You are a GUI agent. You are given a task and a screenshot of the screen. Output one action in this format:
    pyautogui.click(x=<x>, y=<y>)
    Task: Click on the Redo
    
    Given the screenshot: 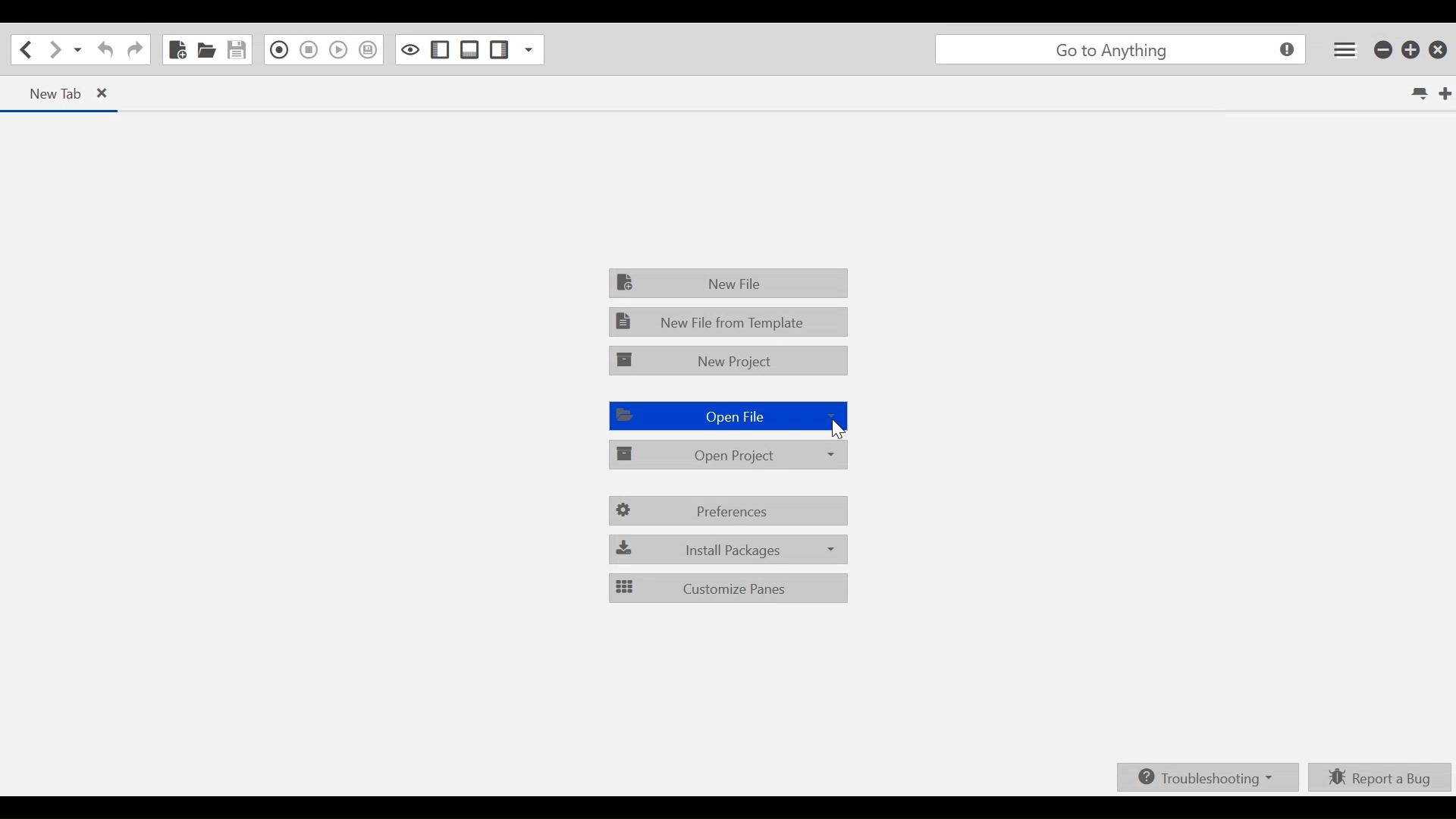 What is the action you would take?
    pyautogui.click(x=134, y=50)
    